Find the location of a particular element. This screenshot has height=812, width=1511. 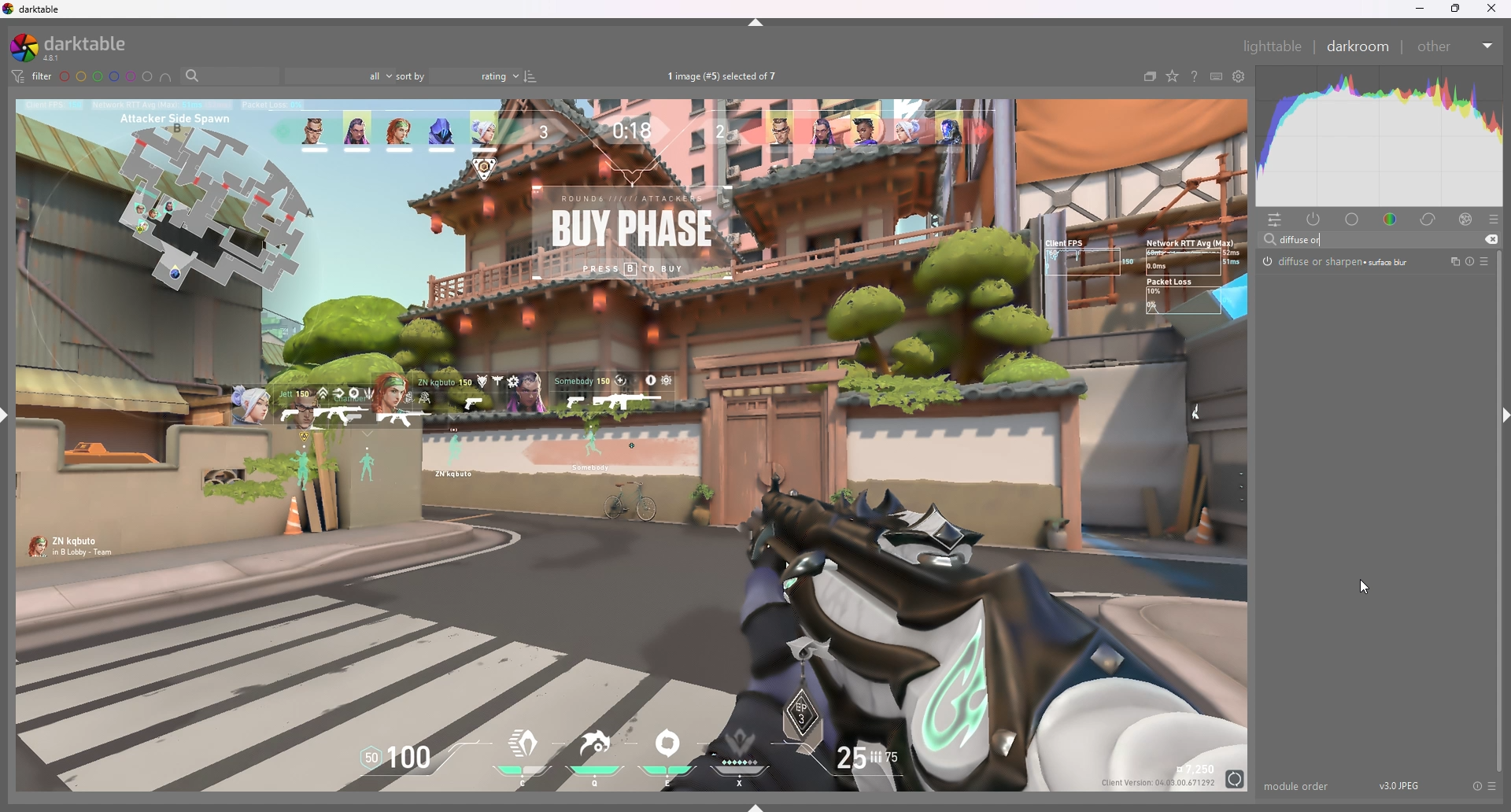

filter is located at coordinates (32, 76).